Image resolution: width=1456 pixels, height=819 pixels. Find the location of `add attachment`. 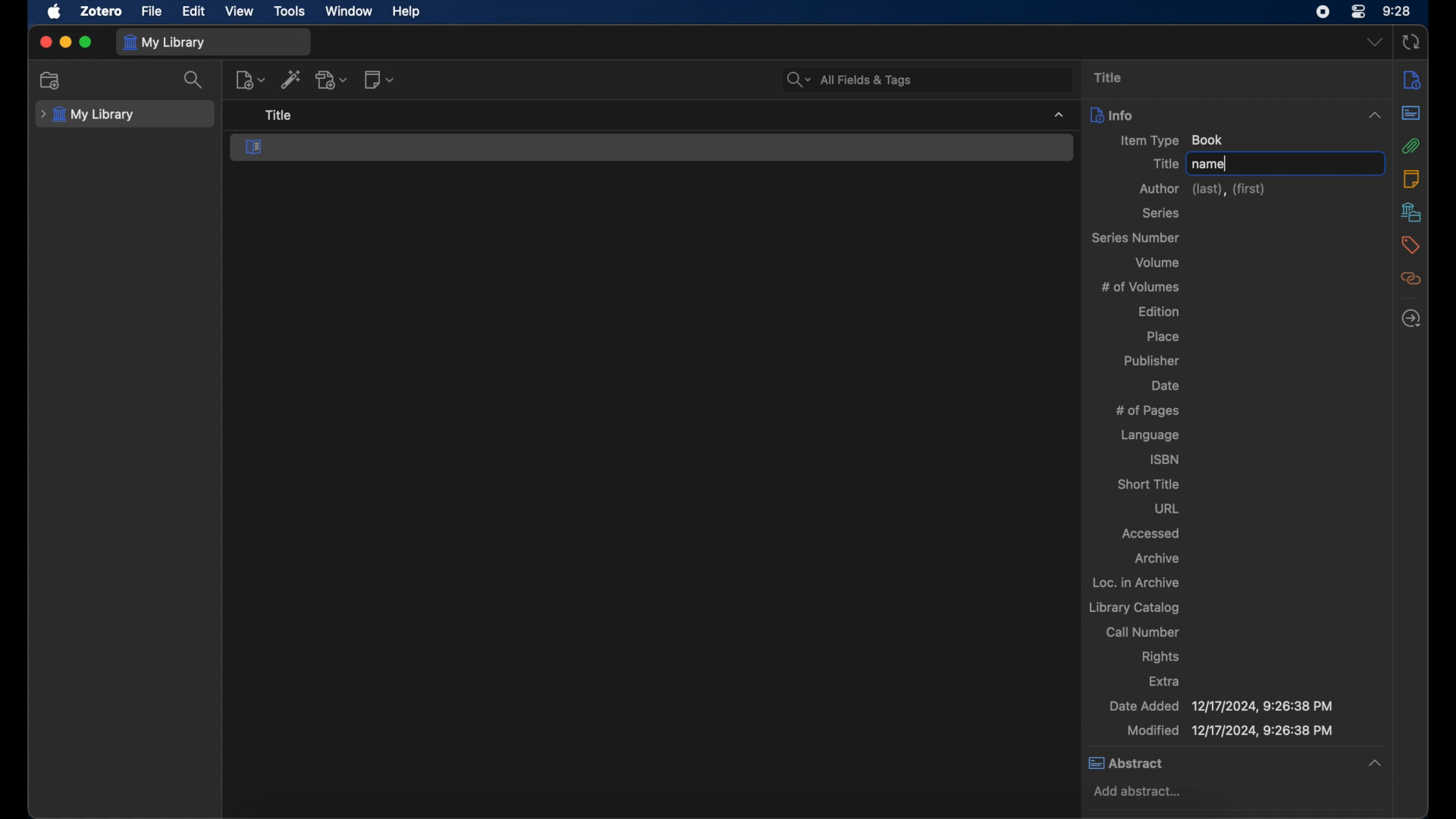

add attachment is located at coordinates (331, 80).